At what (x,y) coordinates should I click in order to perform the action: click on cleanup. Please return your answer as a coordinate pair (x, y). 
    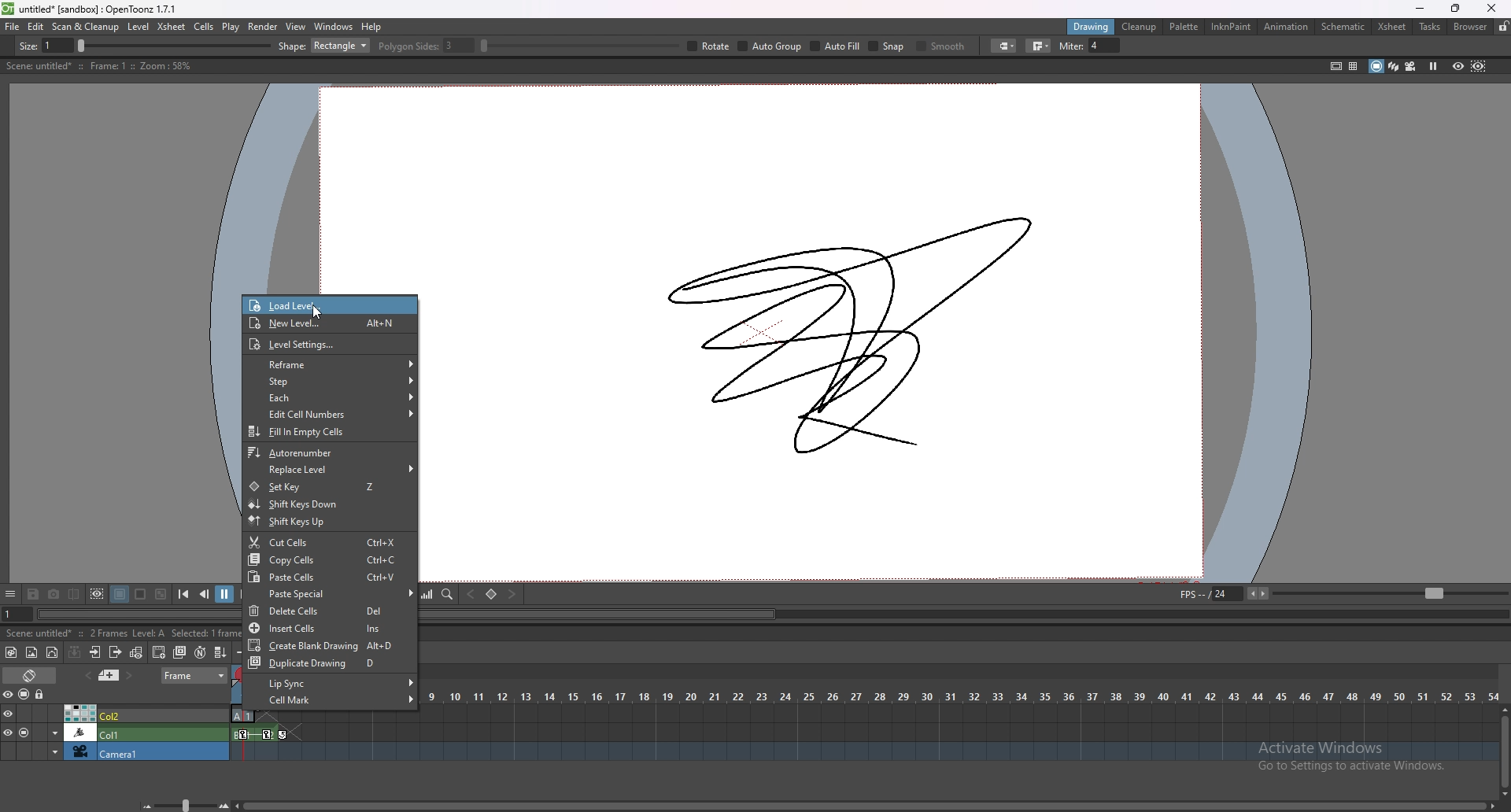
    Looking at the image, I should click on (1139, 27).